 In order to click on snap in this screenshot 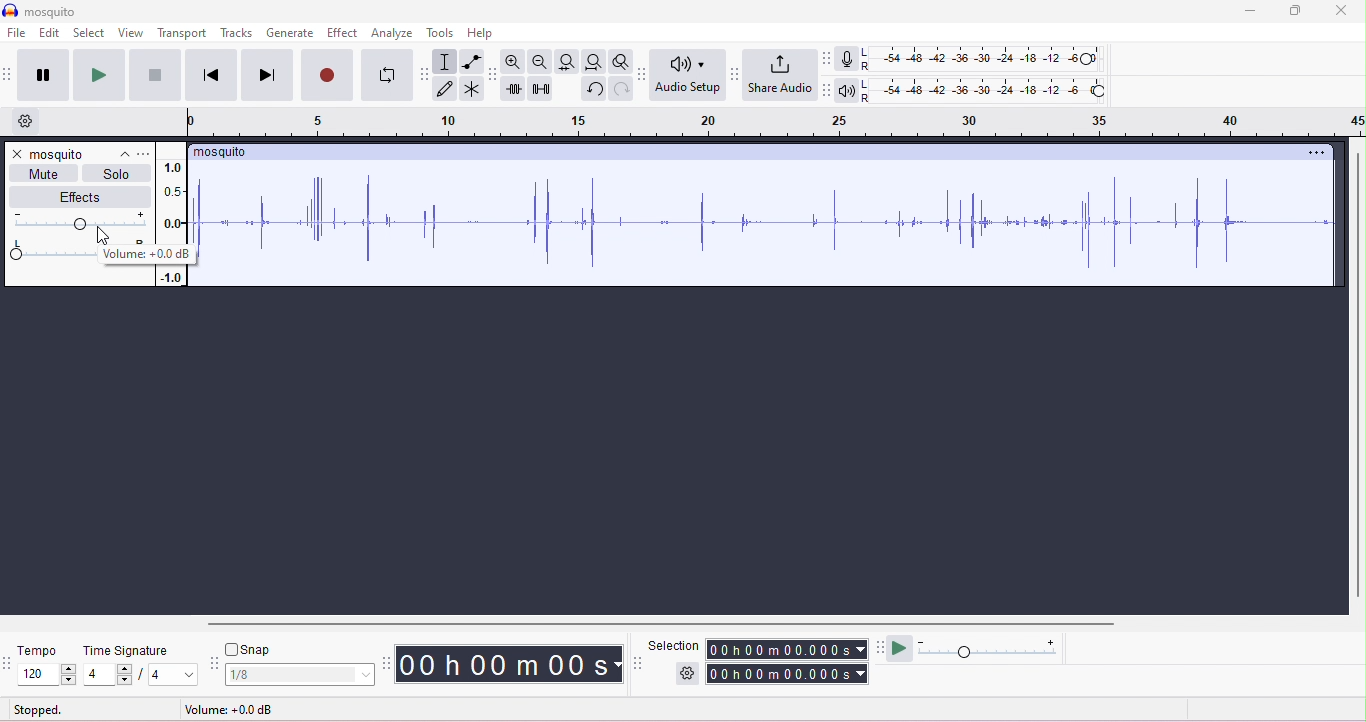, I will do `click(249, 650)`.